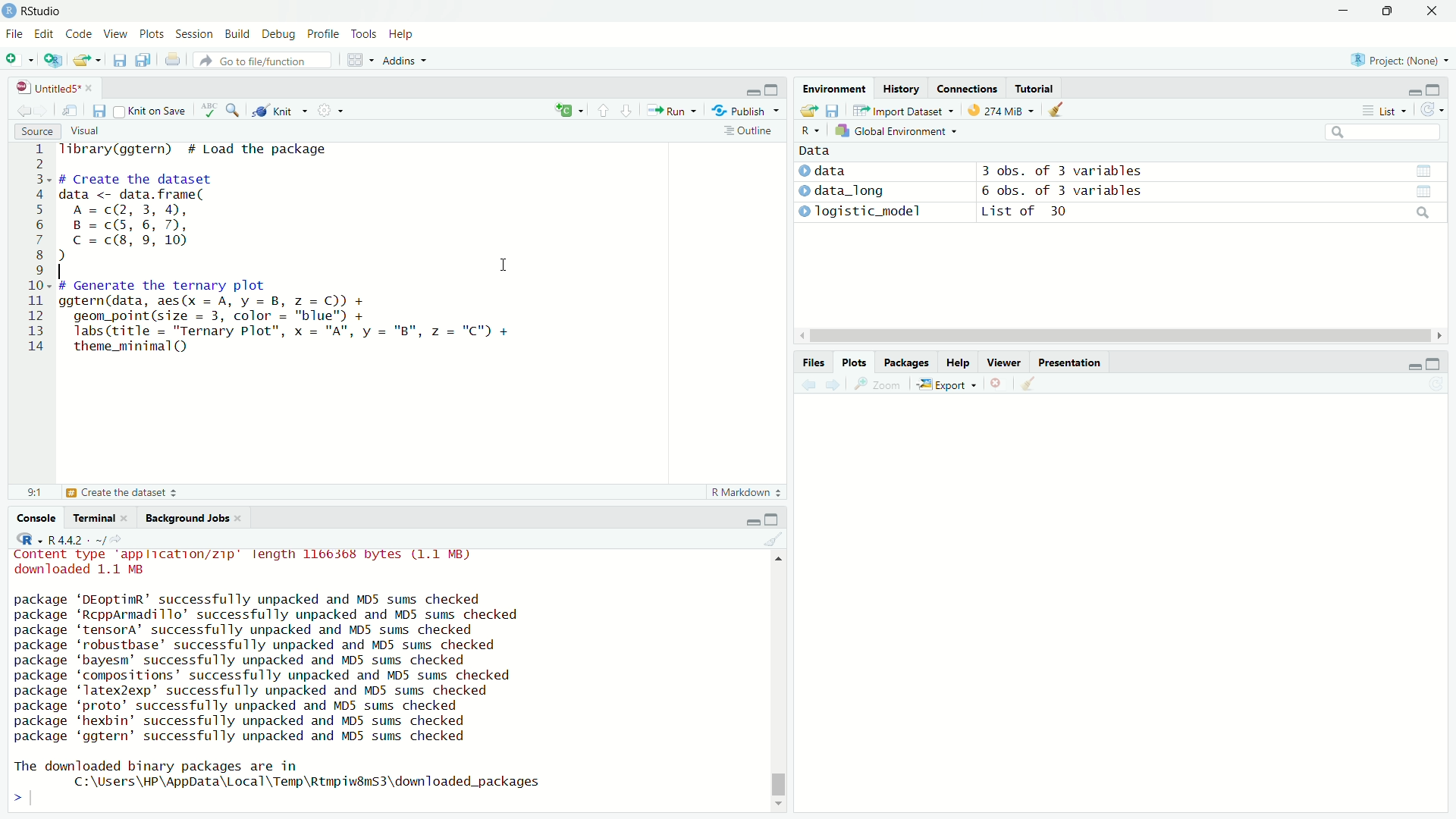  Describe the element at coordinates (880, 388) in the screenshot. I see `zoom` at that location.